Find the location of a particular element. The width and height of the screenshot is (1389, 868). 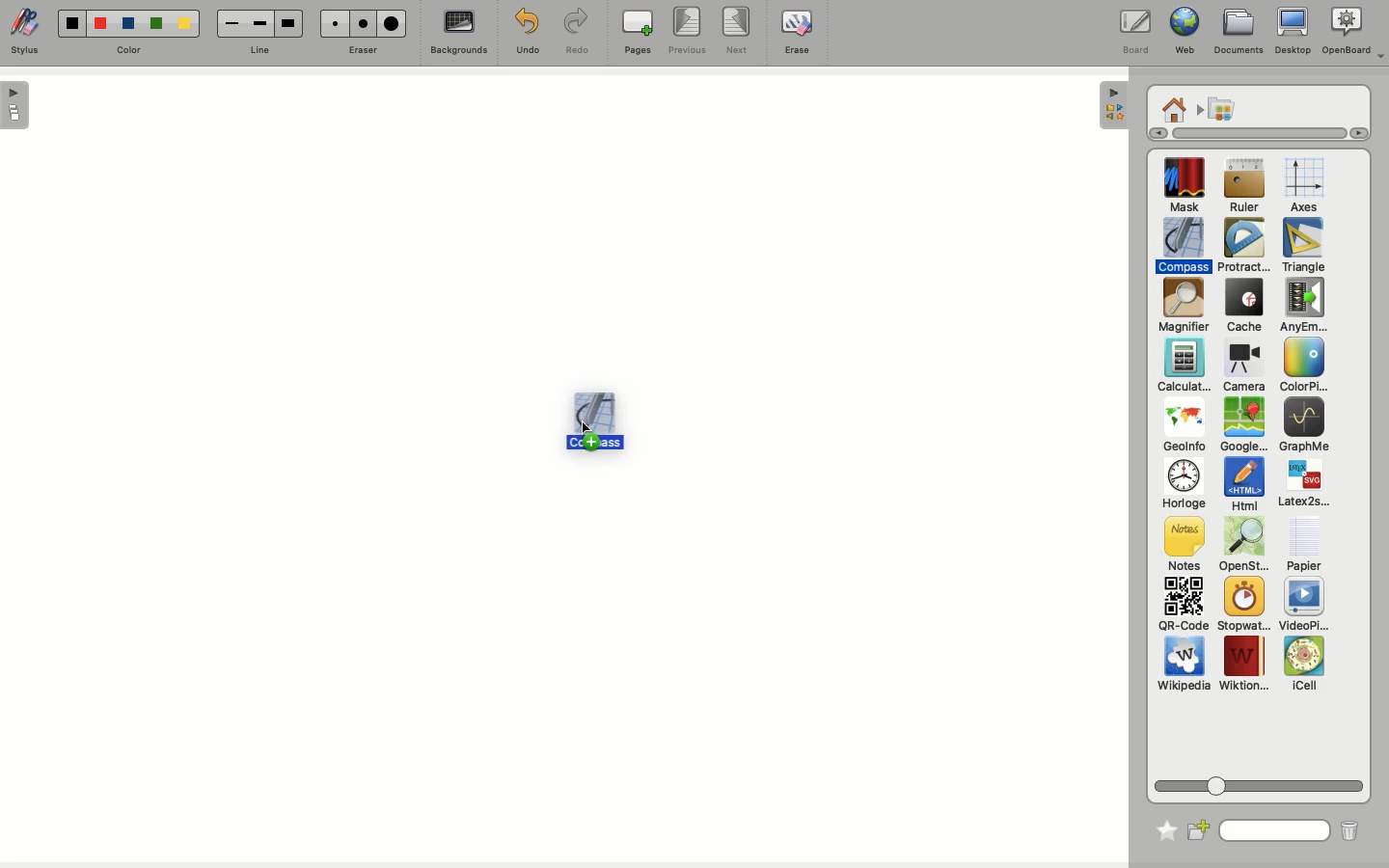

Wikipedia is located at coordinates (1184, 667).